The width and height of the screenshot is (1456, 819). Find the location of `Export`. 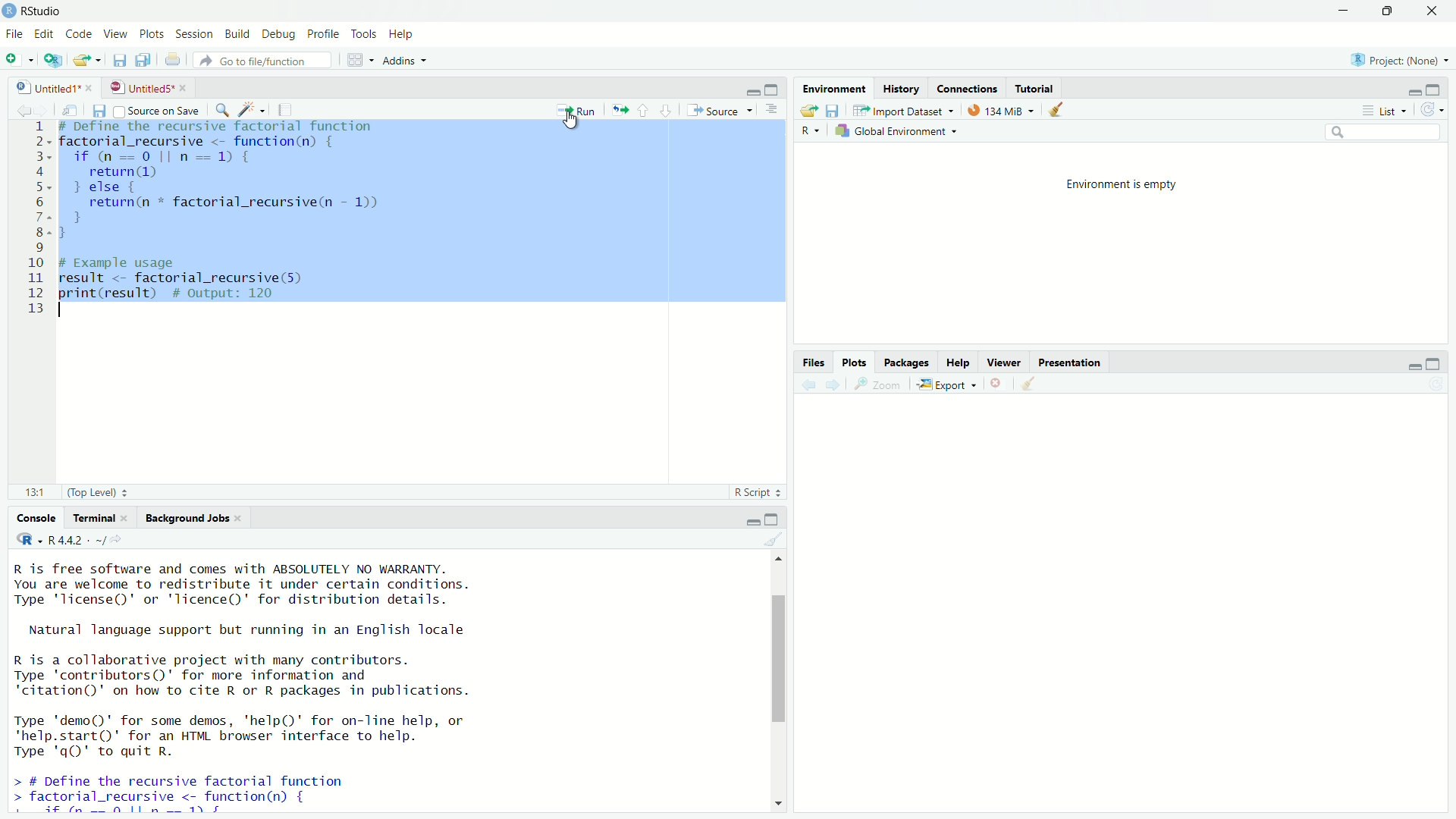

Export is located at coordinates (949, 383).